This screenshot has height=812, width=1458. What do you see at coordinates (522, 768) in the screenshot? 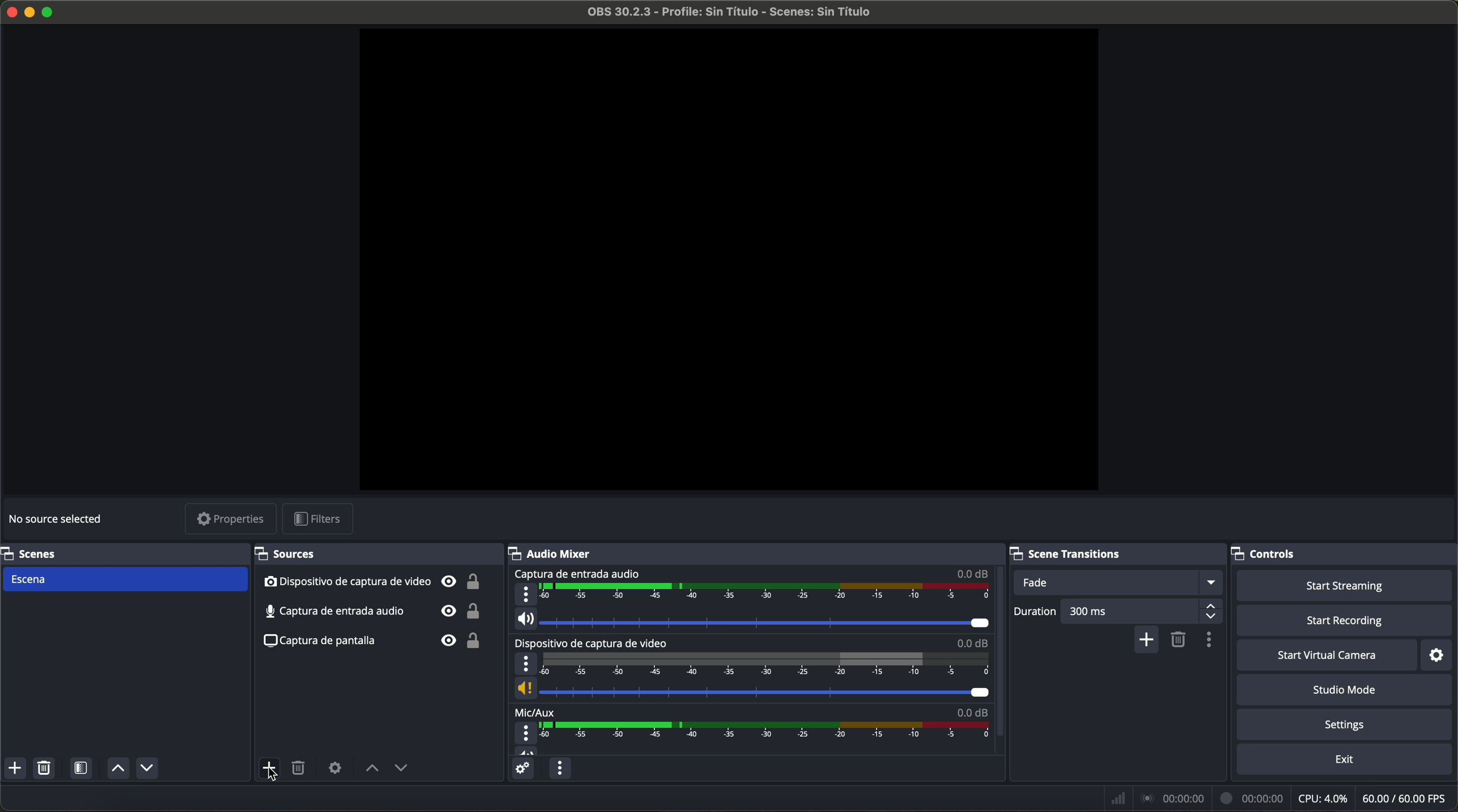
I see `advanced audio properties` at bounding box center [522, 768].